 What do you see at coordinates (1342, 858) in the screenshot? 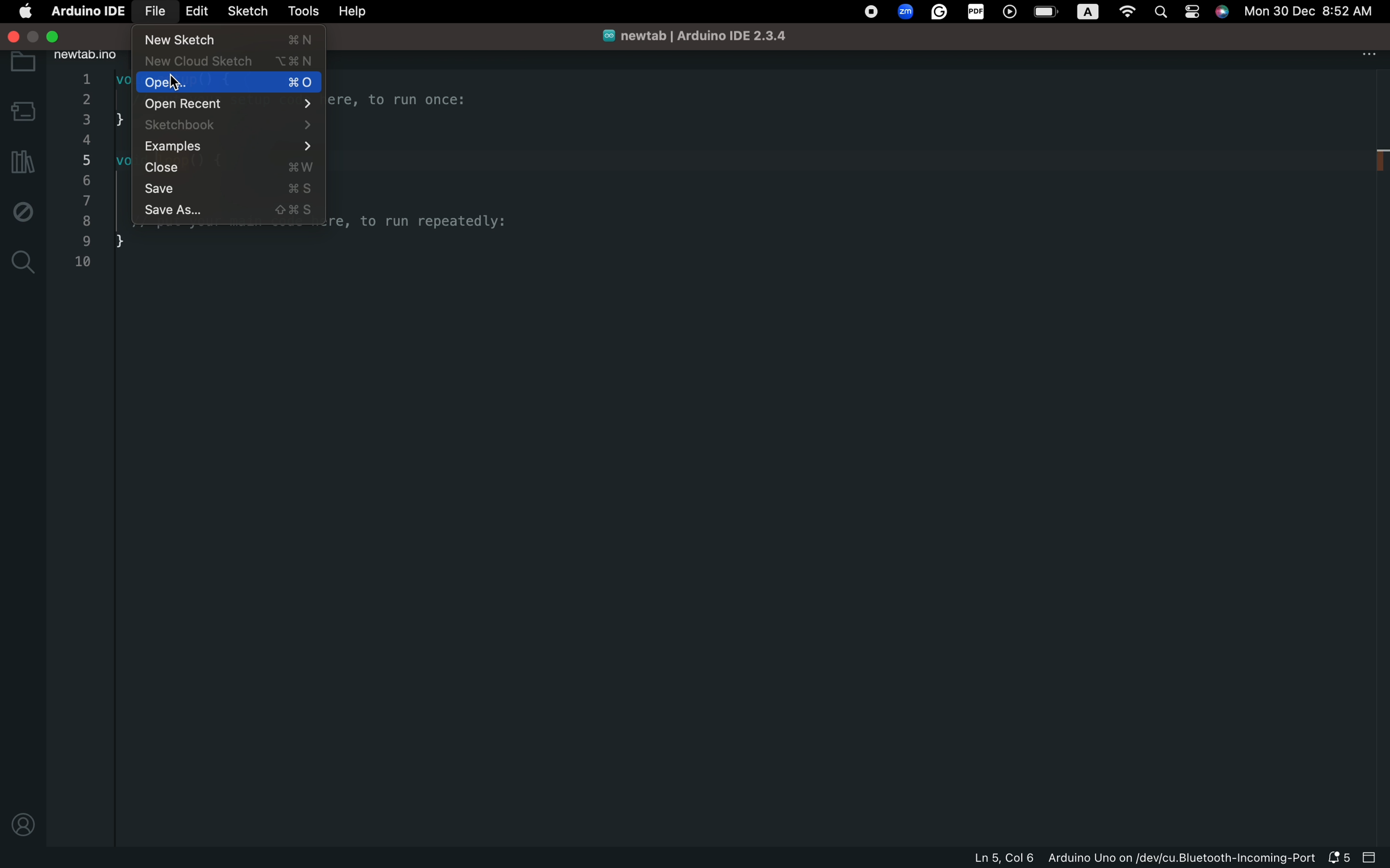
I see `notification` at bounding box center [1342, 858].